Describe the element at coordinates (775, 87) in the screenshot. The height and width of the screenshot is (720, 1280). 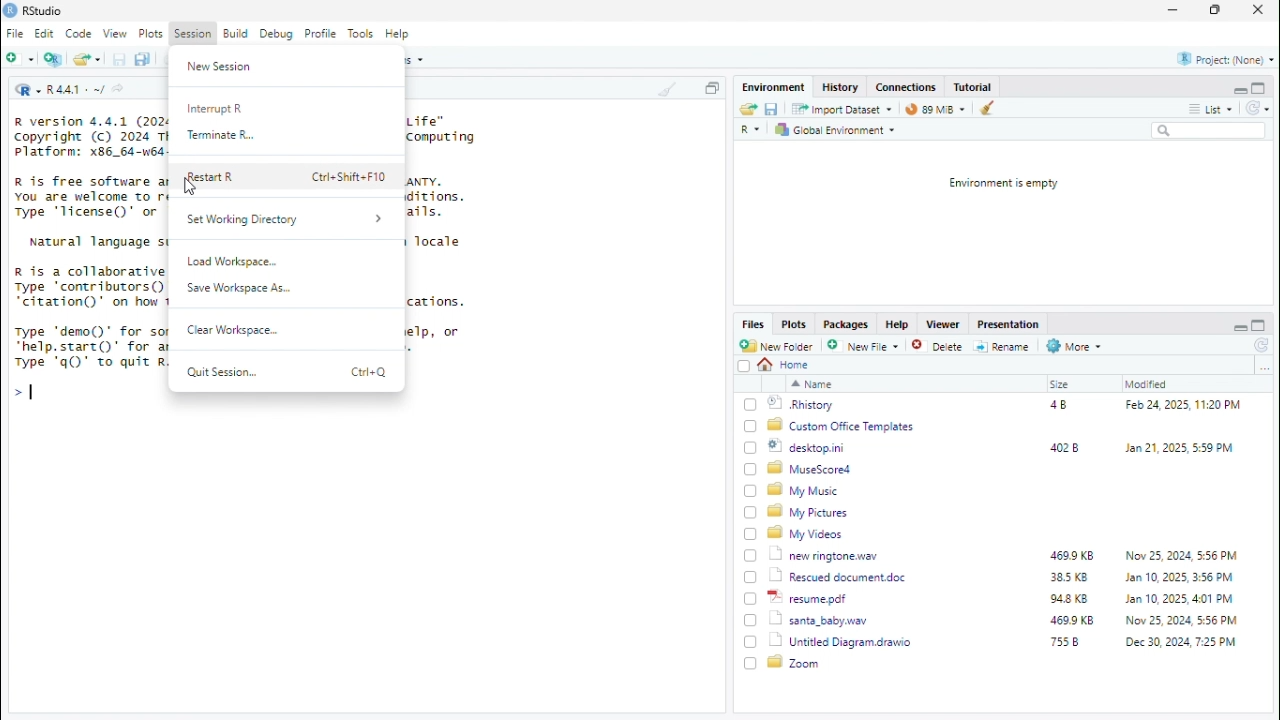
I see `Enviornment` at that location.